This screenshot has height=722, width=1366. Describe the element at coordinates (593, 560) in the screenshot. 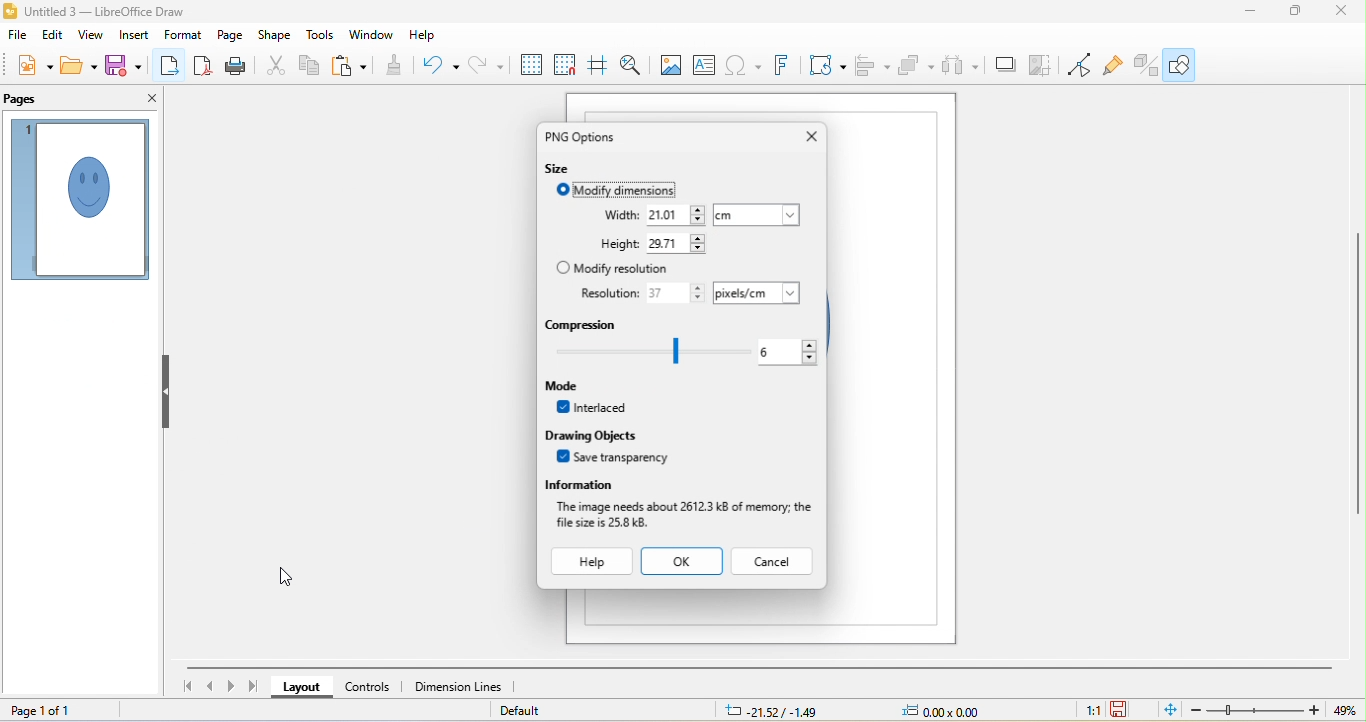

I see `help` at that location.